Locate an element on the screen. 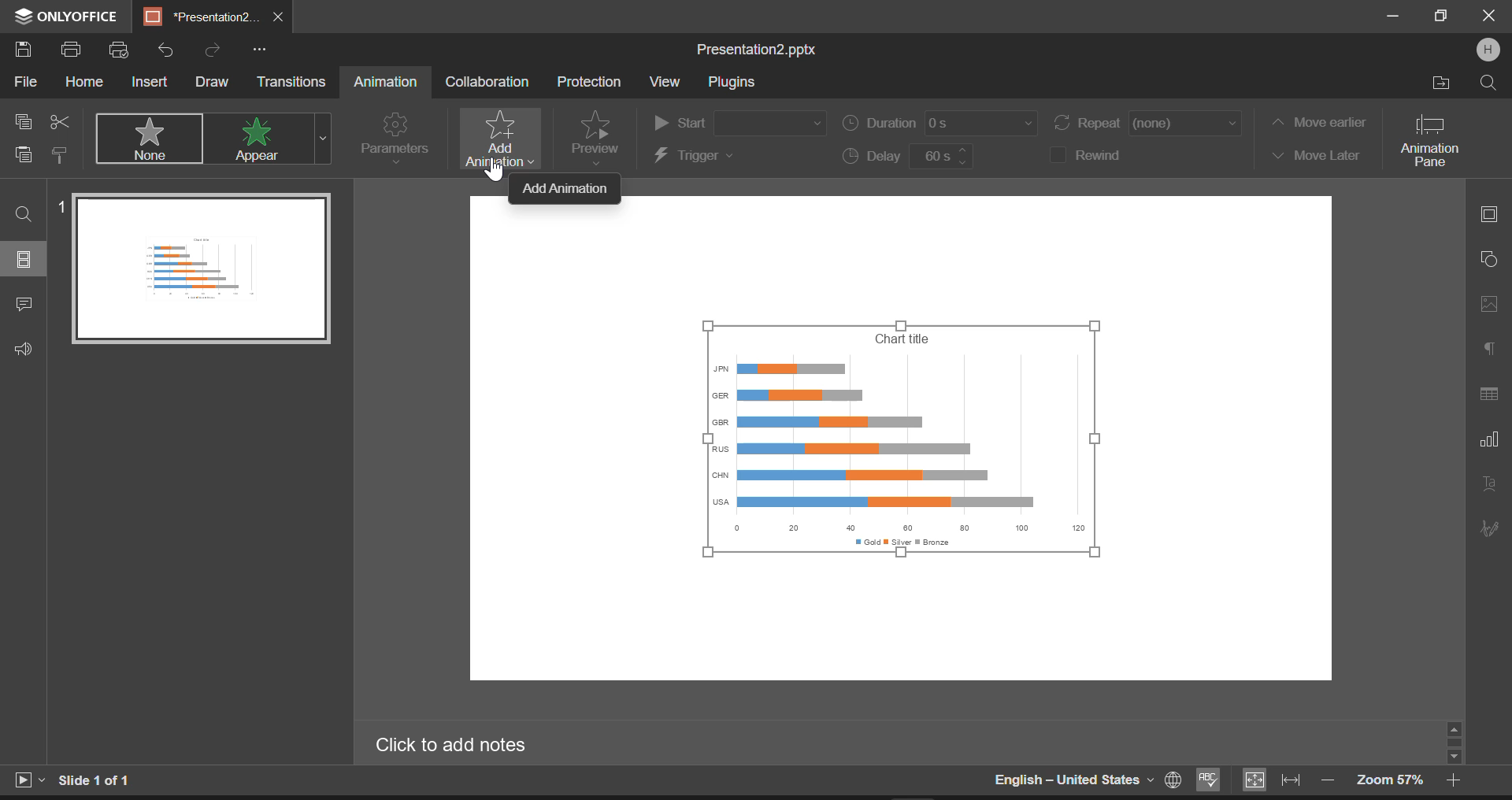 Image resolution: width=1512 pixels, height=800 pixels. *Presentation2.pptx is located at coordinates (201, 17).